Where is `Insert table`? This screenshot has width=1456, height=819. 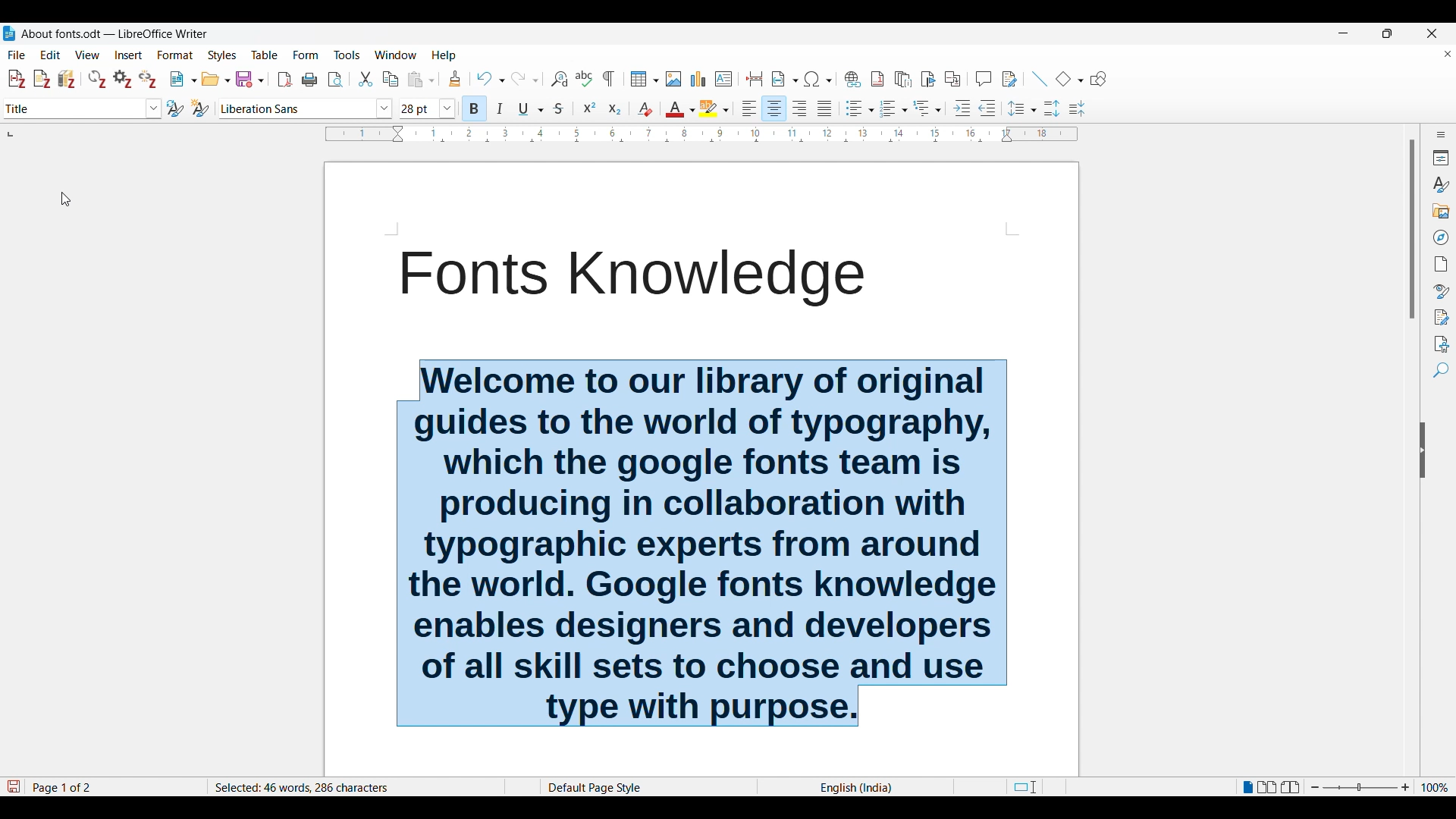
Insert table is located at coordinates (645, 79).